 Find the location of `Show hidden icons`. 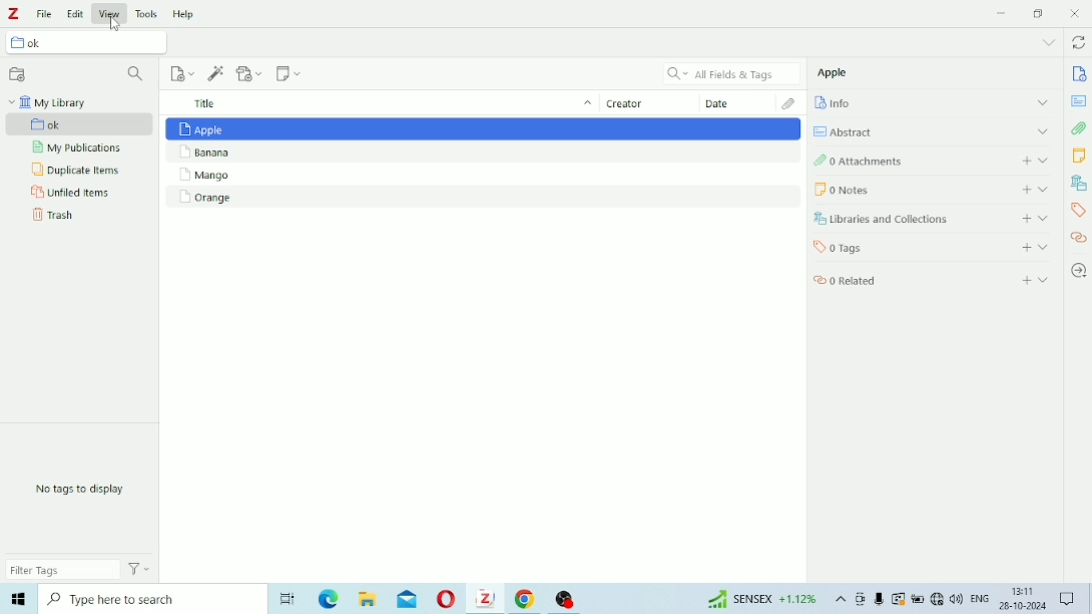

Show hidden icons is located at coordinates (839, 601).